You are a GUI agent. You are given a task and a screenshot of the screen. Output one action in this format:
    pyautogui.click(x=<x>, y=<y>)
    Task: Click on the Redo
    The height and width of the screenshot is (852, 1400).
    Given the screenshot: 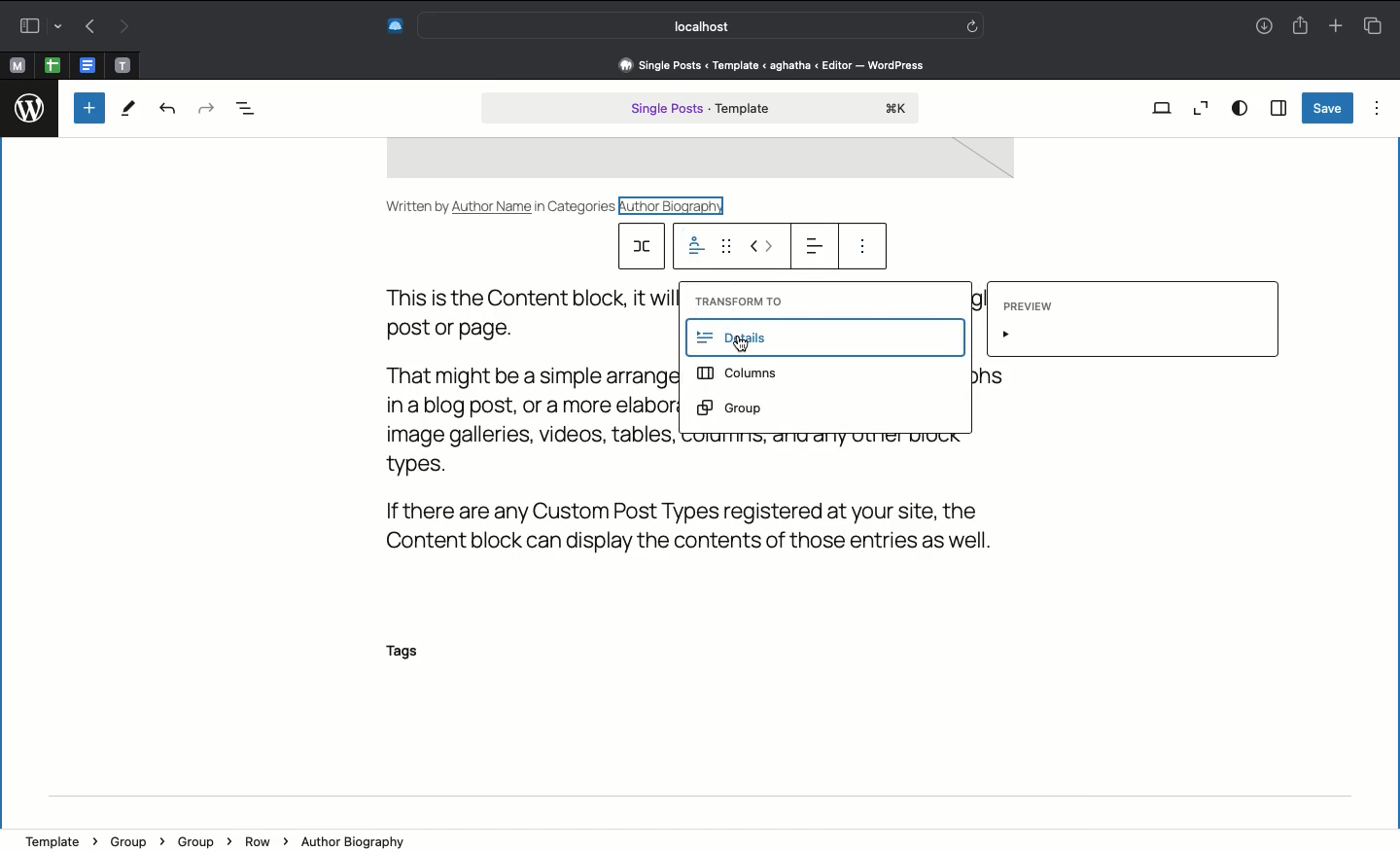 What is the action you would take?
    pyautogui.click(x=204, y=107)
    